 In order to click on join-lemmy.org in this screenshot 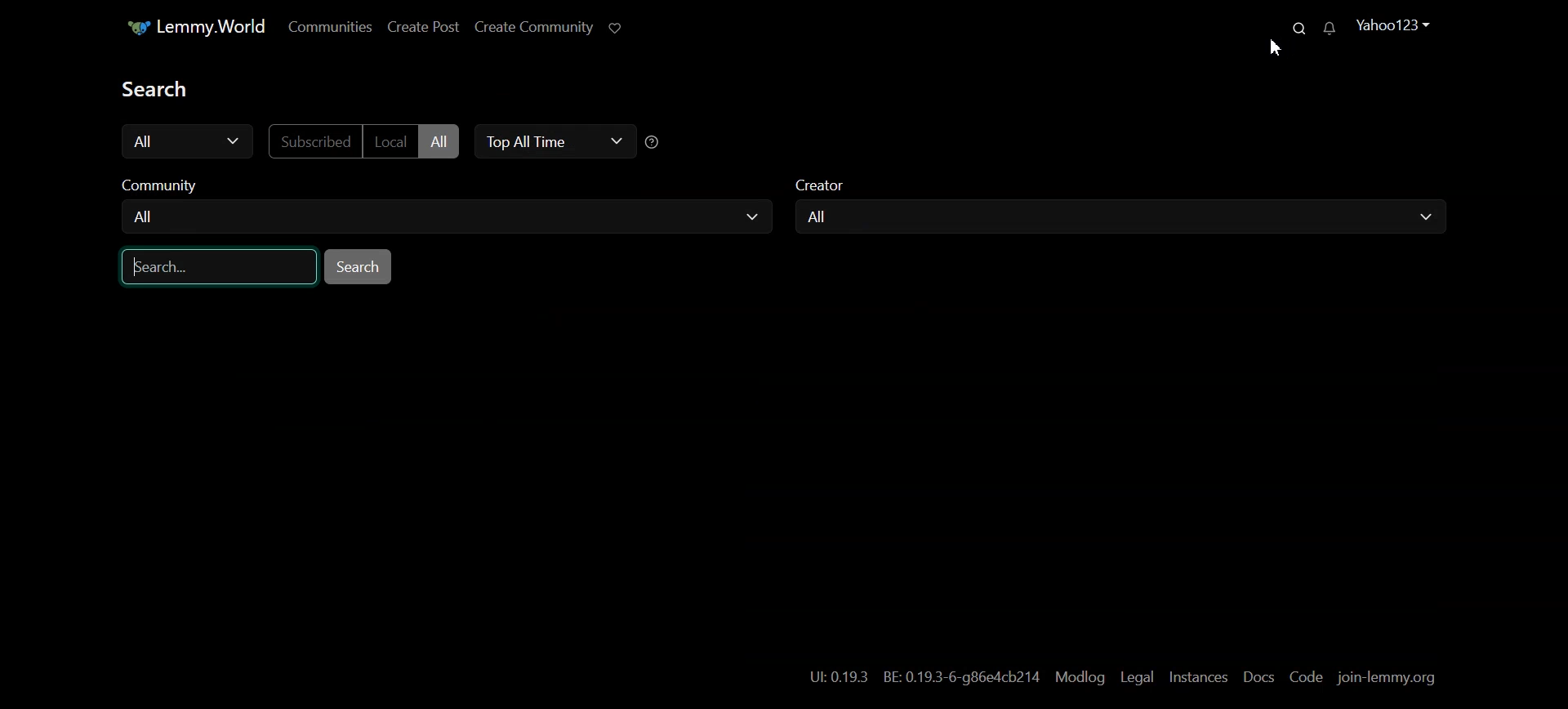, I will do `click(1391, 677)`.